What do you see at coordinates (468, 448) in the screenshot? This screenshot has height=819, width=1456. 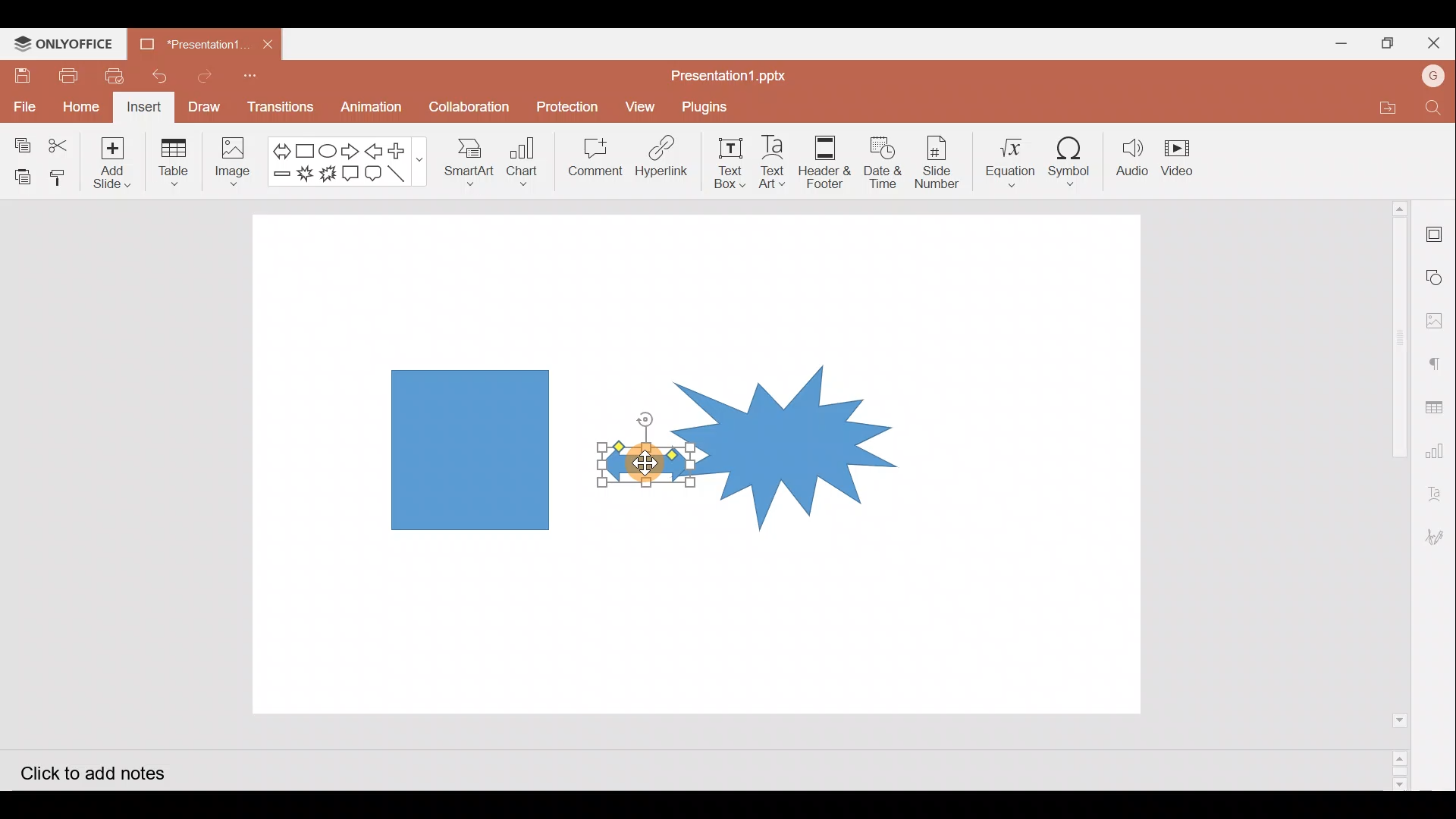 I see `Rectangle shape` at bounding box center [468, 448].